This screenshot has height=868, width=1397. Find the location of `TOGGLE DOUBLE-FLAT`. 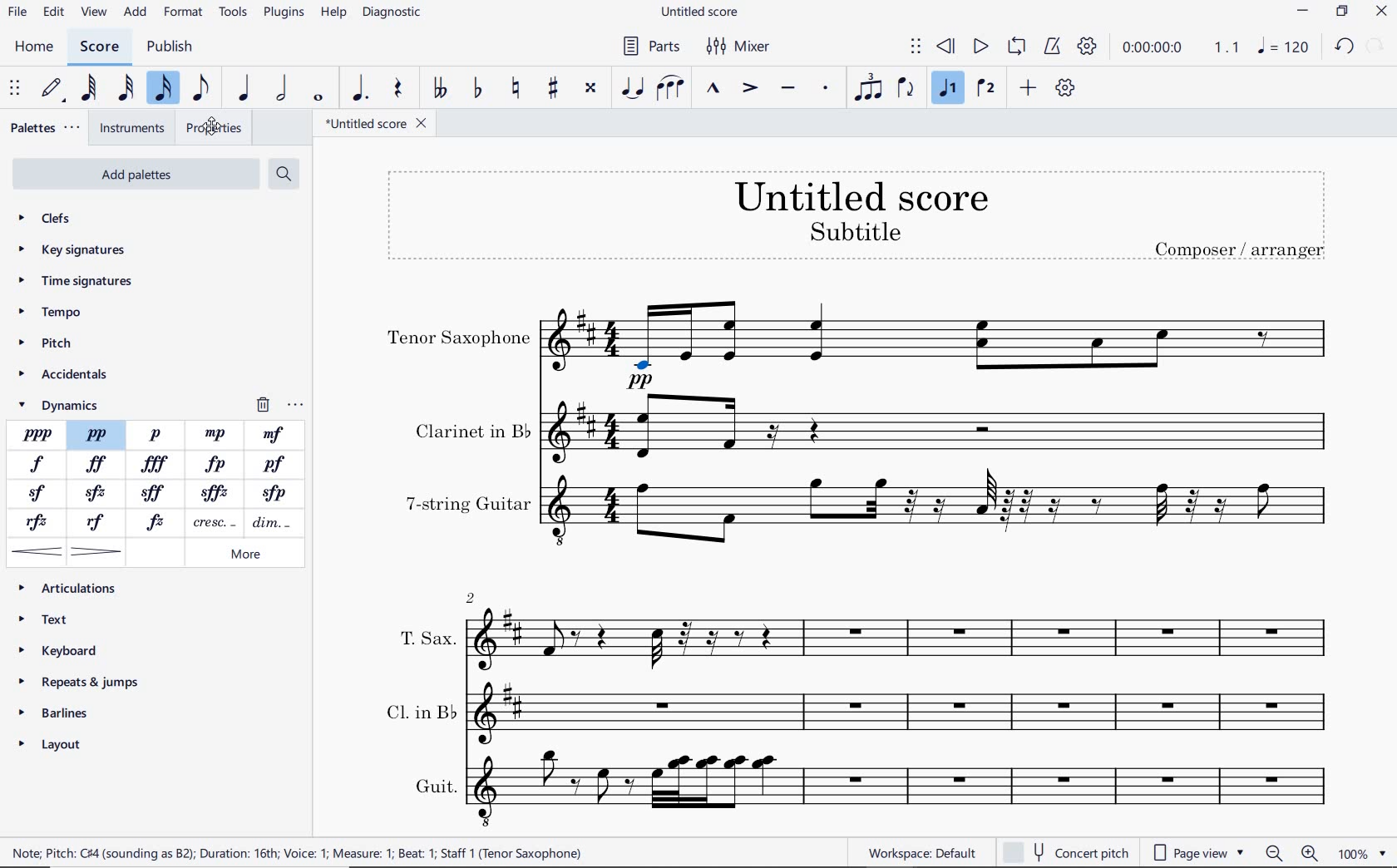

TOGGLE DOUBLE-FLAT is located at coordinates (442, 86).